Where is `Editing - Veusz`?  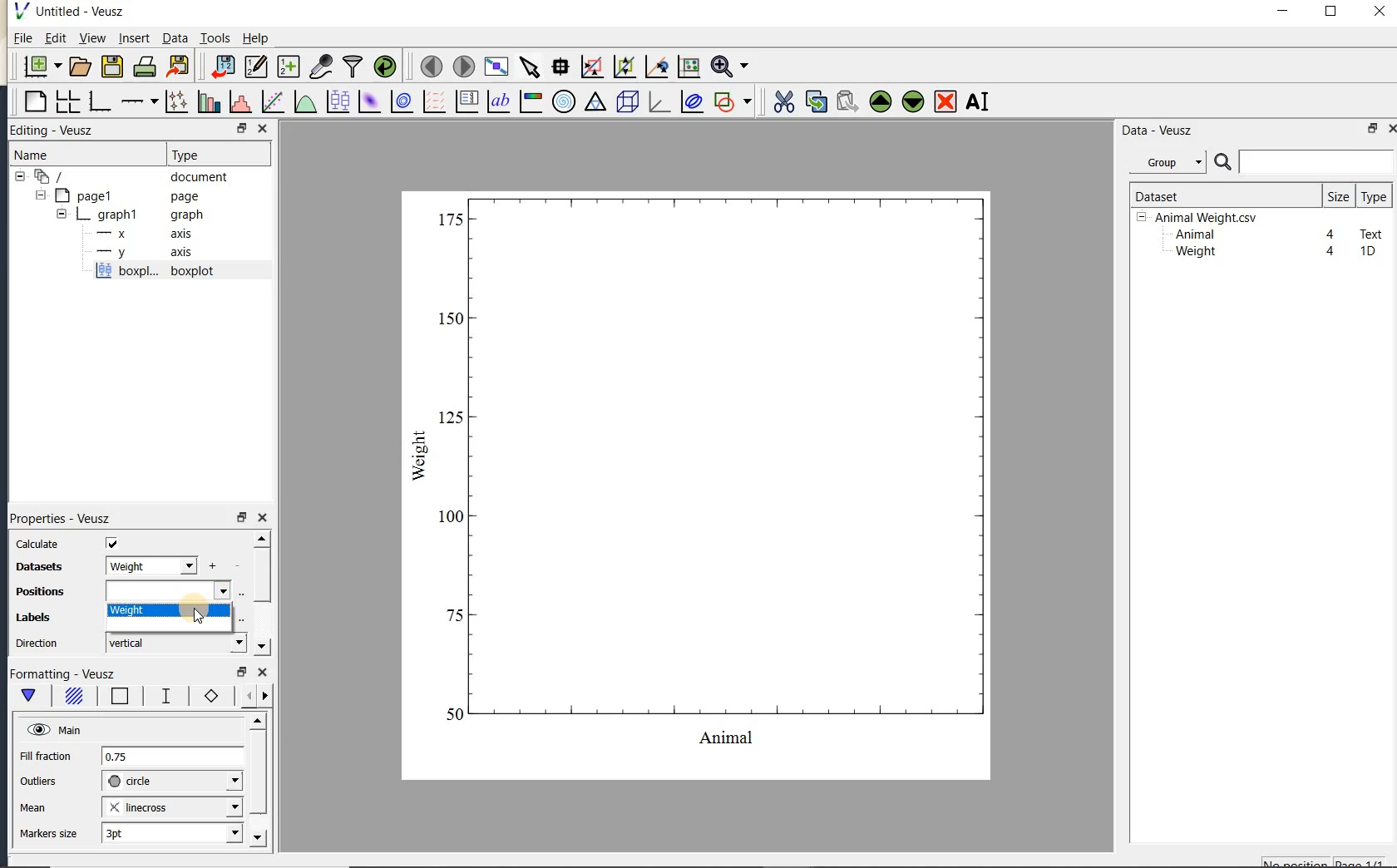
Editing - Veusz is located at coordinates (61, 131).